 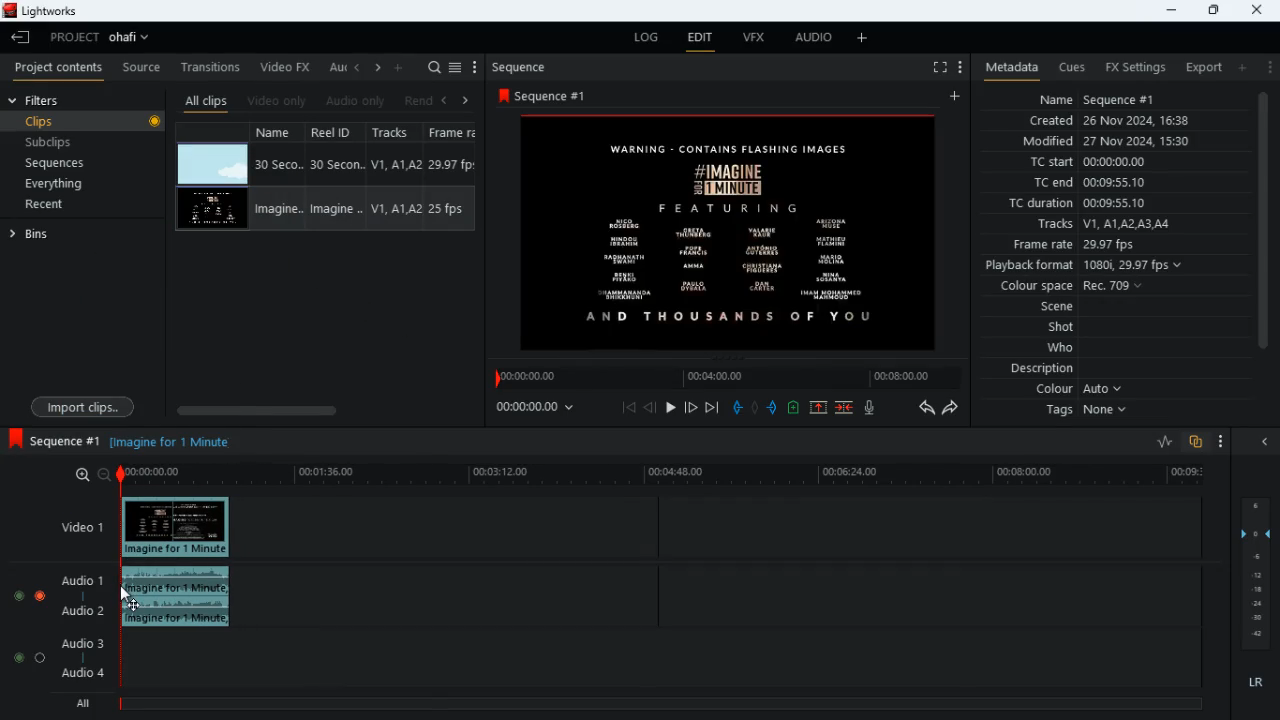 What do you see at coordinates (1043, 369) in the screenshot?
I see `description` at bounding box center [1043, 369].